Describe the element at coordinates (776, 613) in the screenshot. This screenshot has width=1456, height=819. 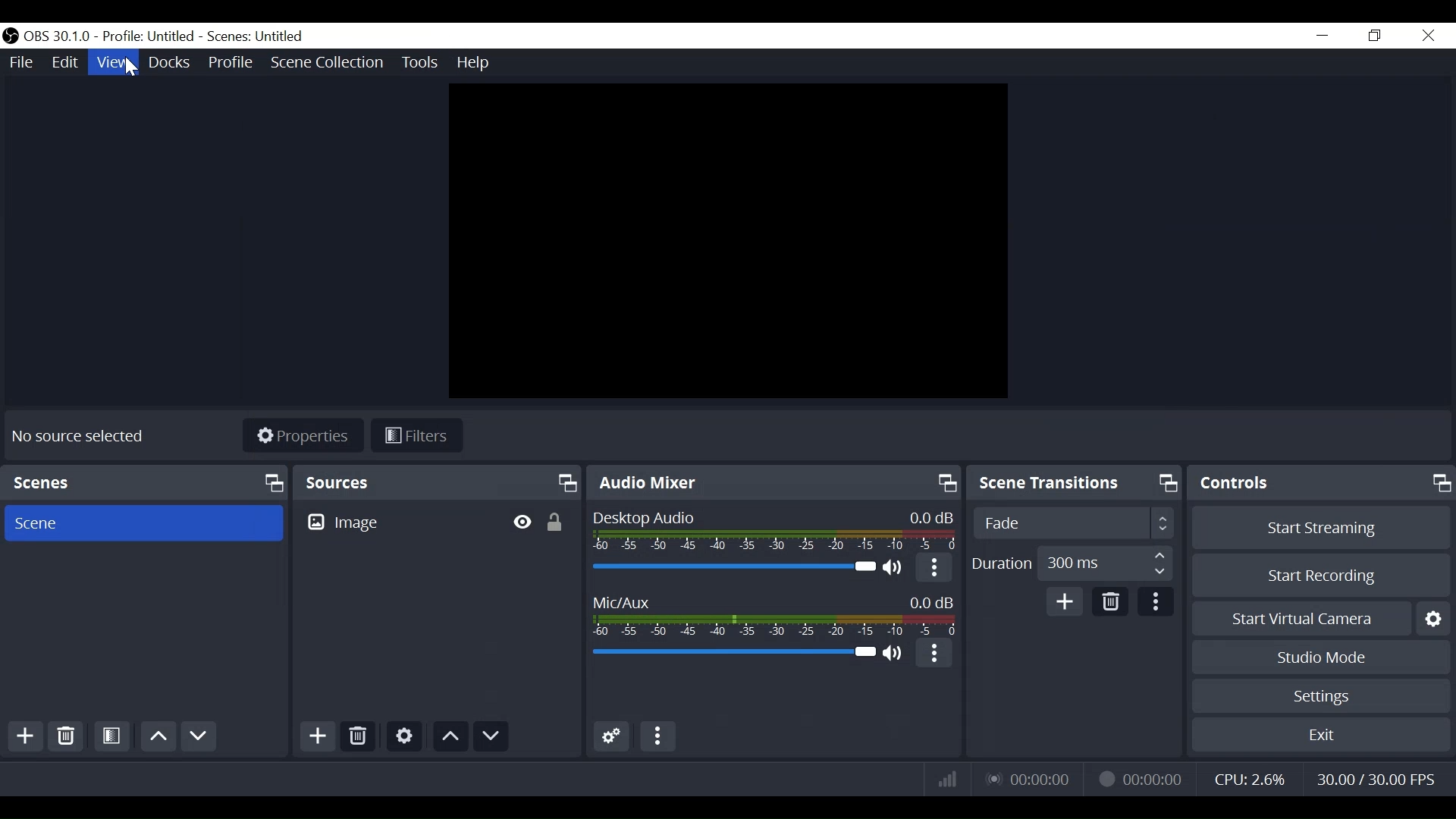
I see `Mic/Aux` at that location.